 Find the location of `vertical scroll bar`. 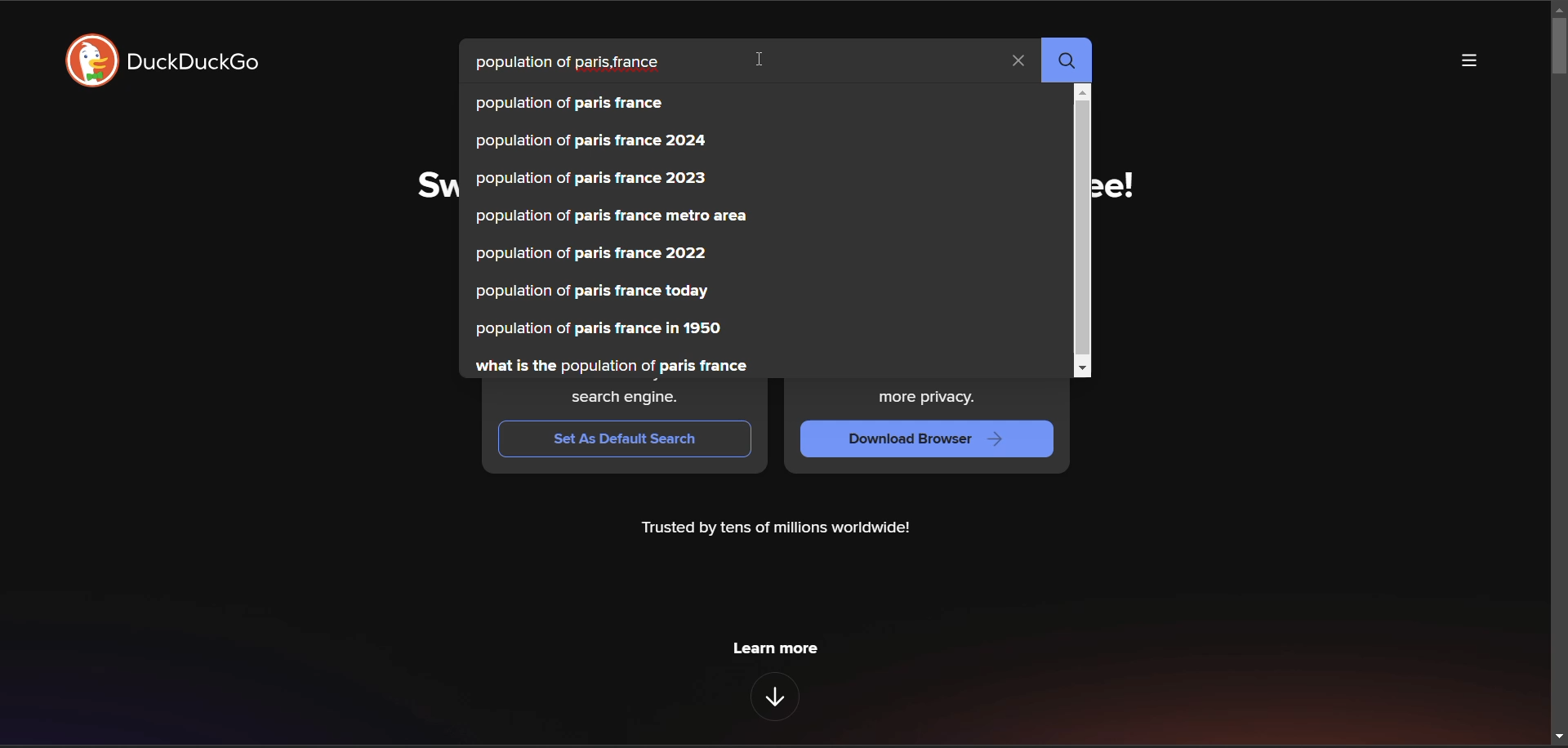

vertical scroll bar is located at coordinates (1084, 230).